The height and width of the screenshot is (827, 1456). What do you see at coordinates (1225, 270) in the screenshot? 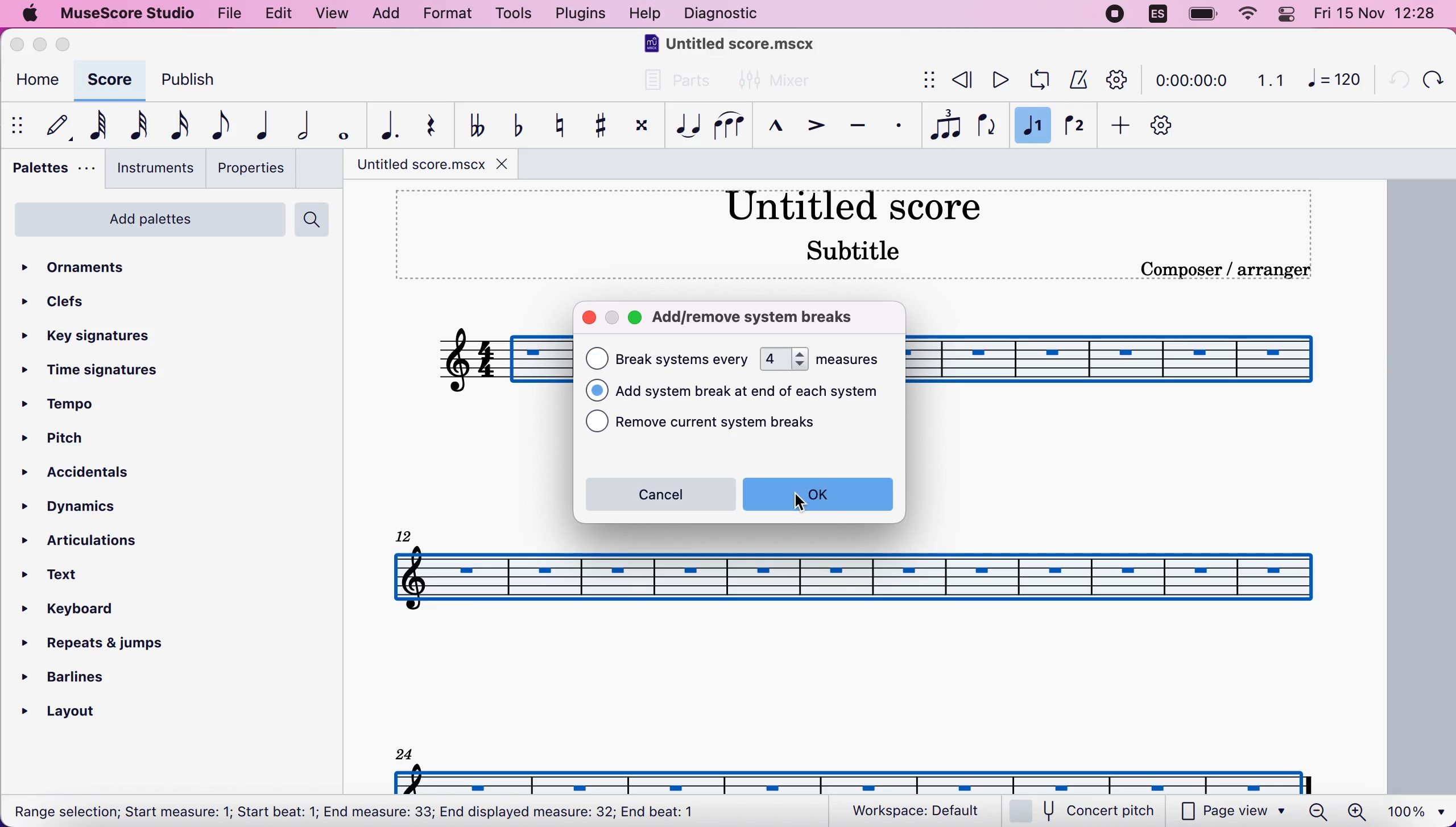
I see `details` at bounding box center [1225, 270].